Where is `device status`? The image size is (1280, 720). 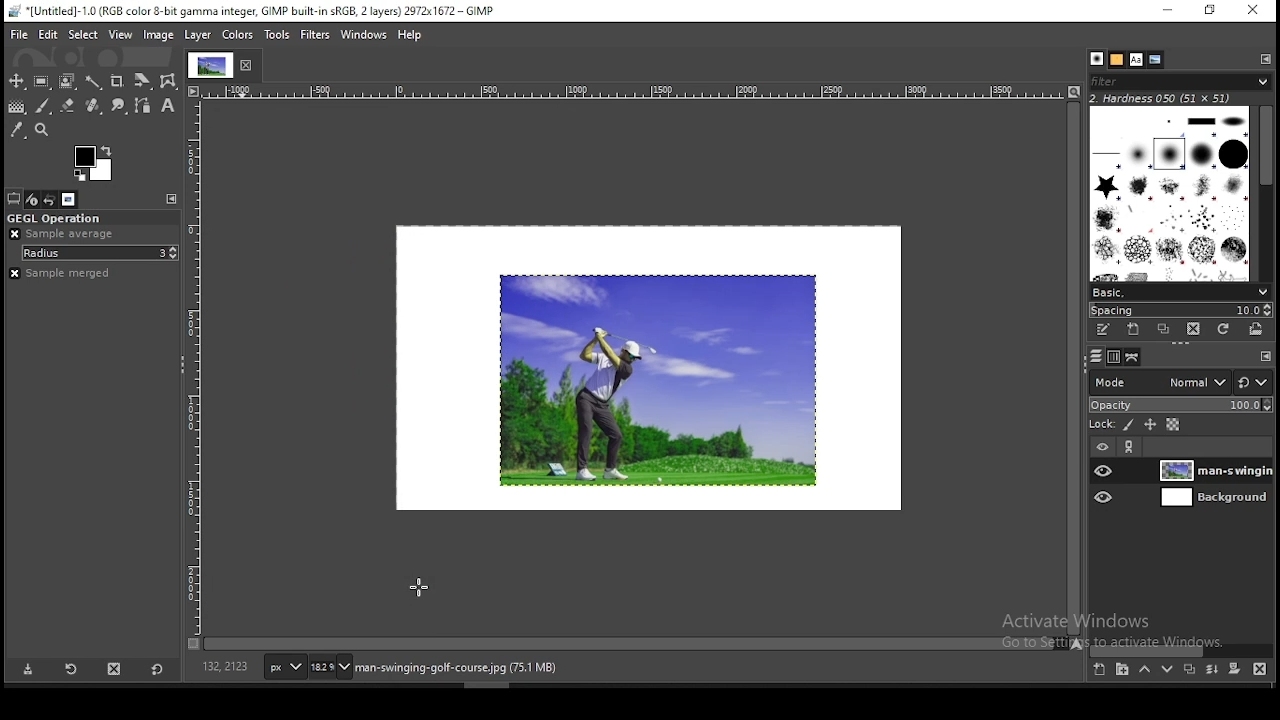
device status is located at coordinates (34, 199).